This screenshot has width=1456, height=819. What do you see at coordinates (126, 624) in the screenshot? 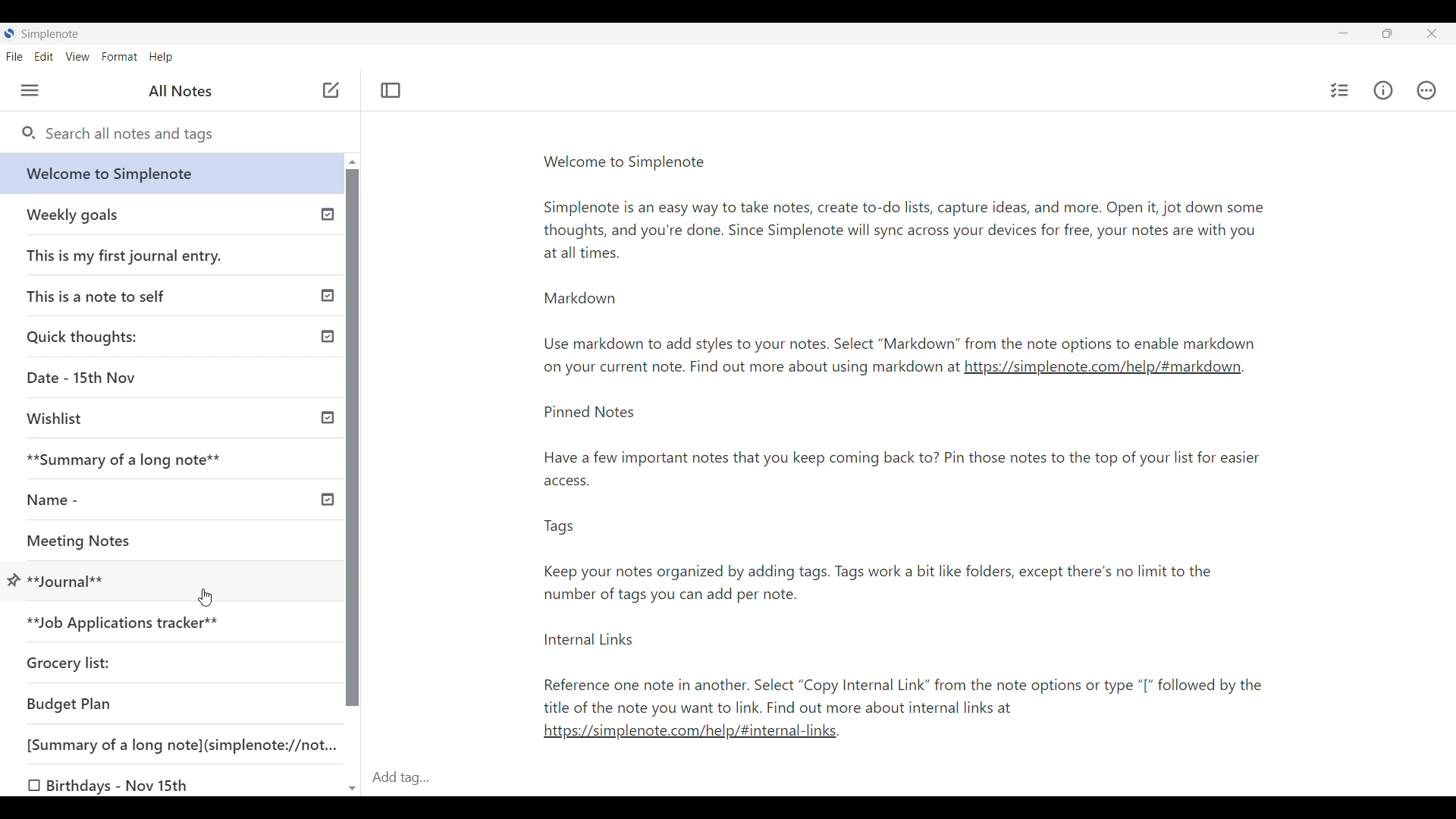
I see `**Job Applications tracker**` at bounding box center [126, 624].